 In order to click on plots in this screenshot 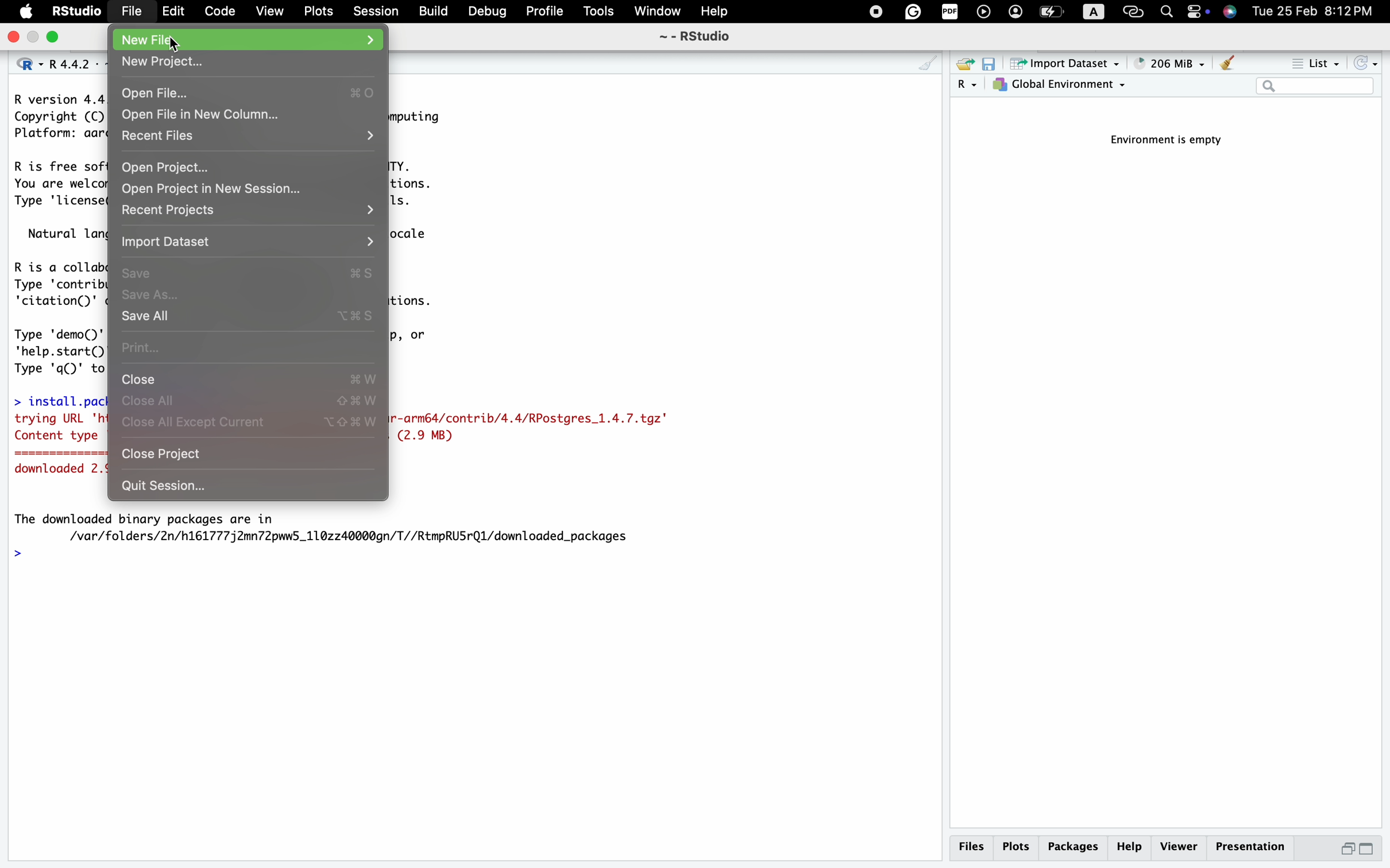, I will do `click(1016, 847)`.